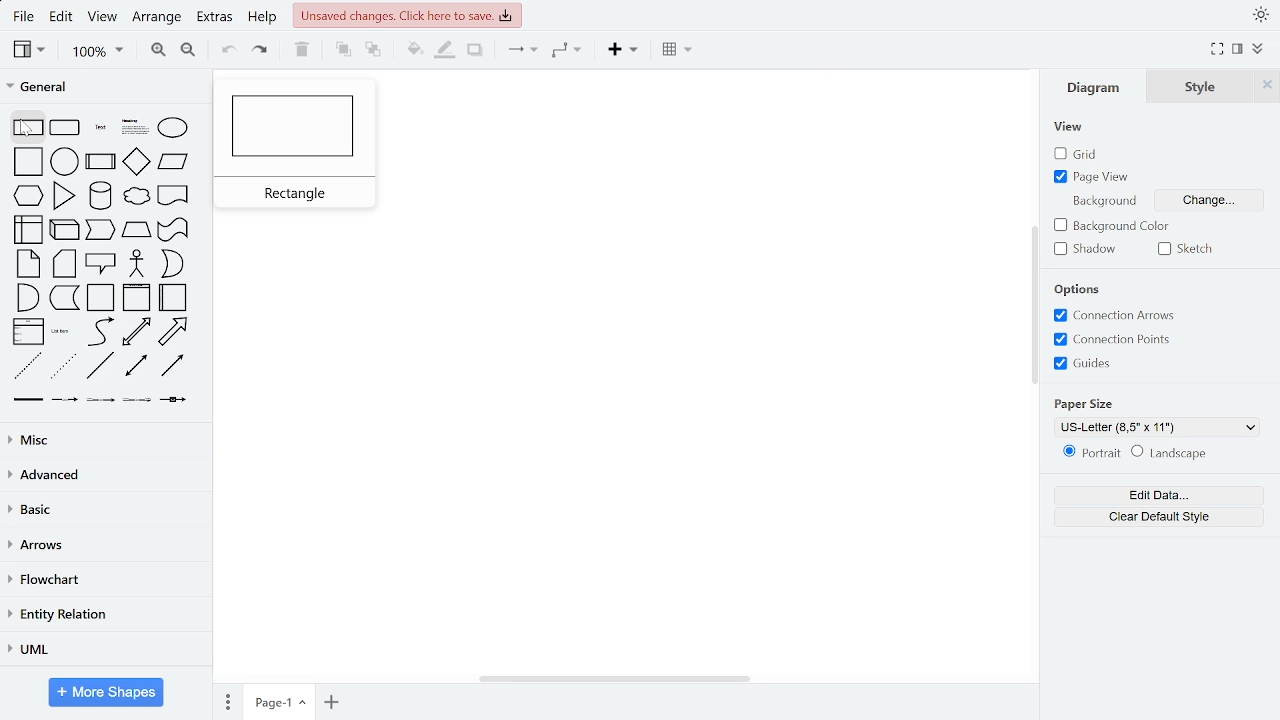  What do you see at coordinates (1114, 339) in the screenshot?
I see `connection points` at bounding box center [1114, 339].